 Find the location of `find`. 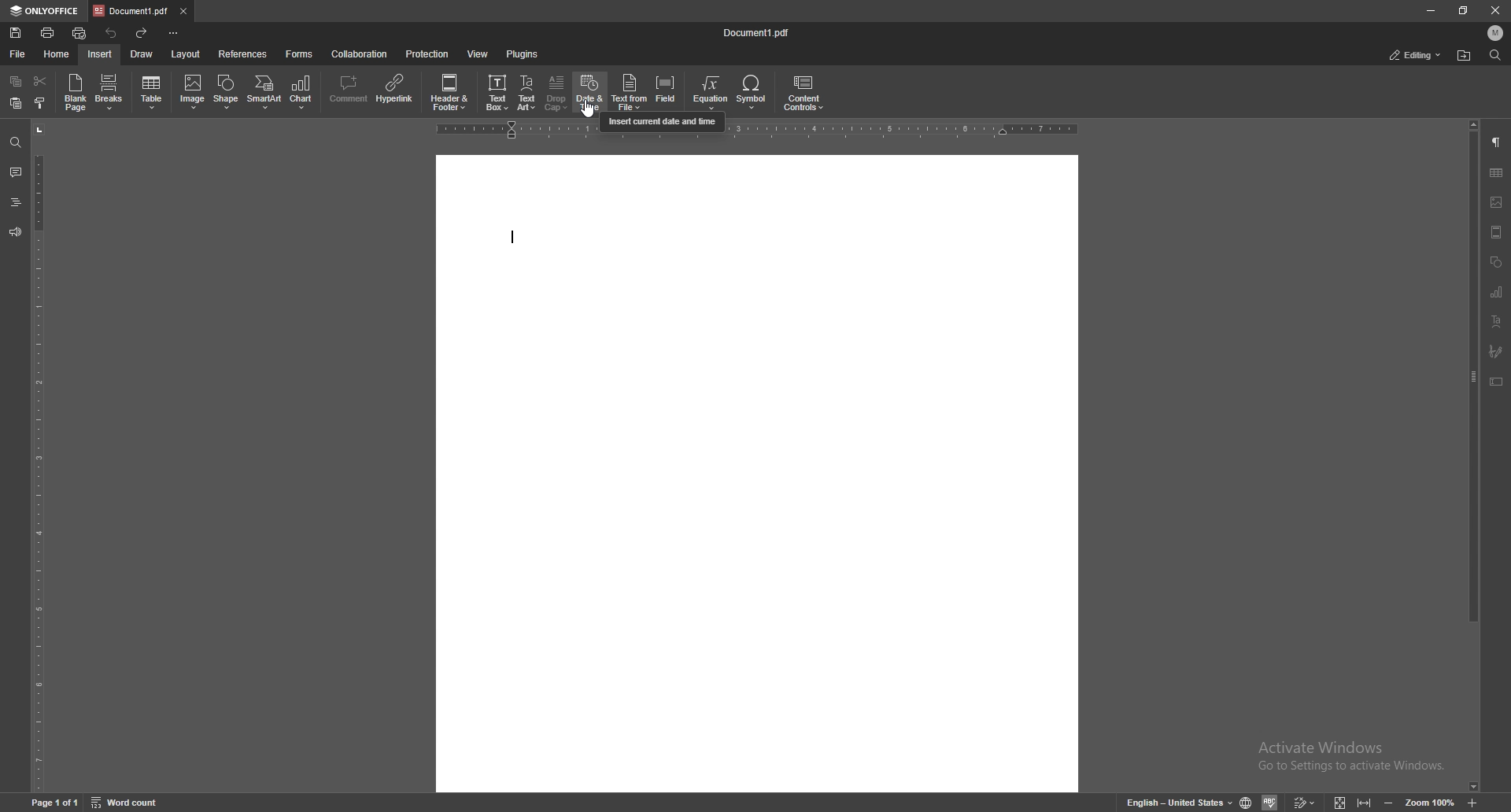

find is located at coordinates (1495, 56).